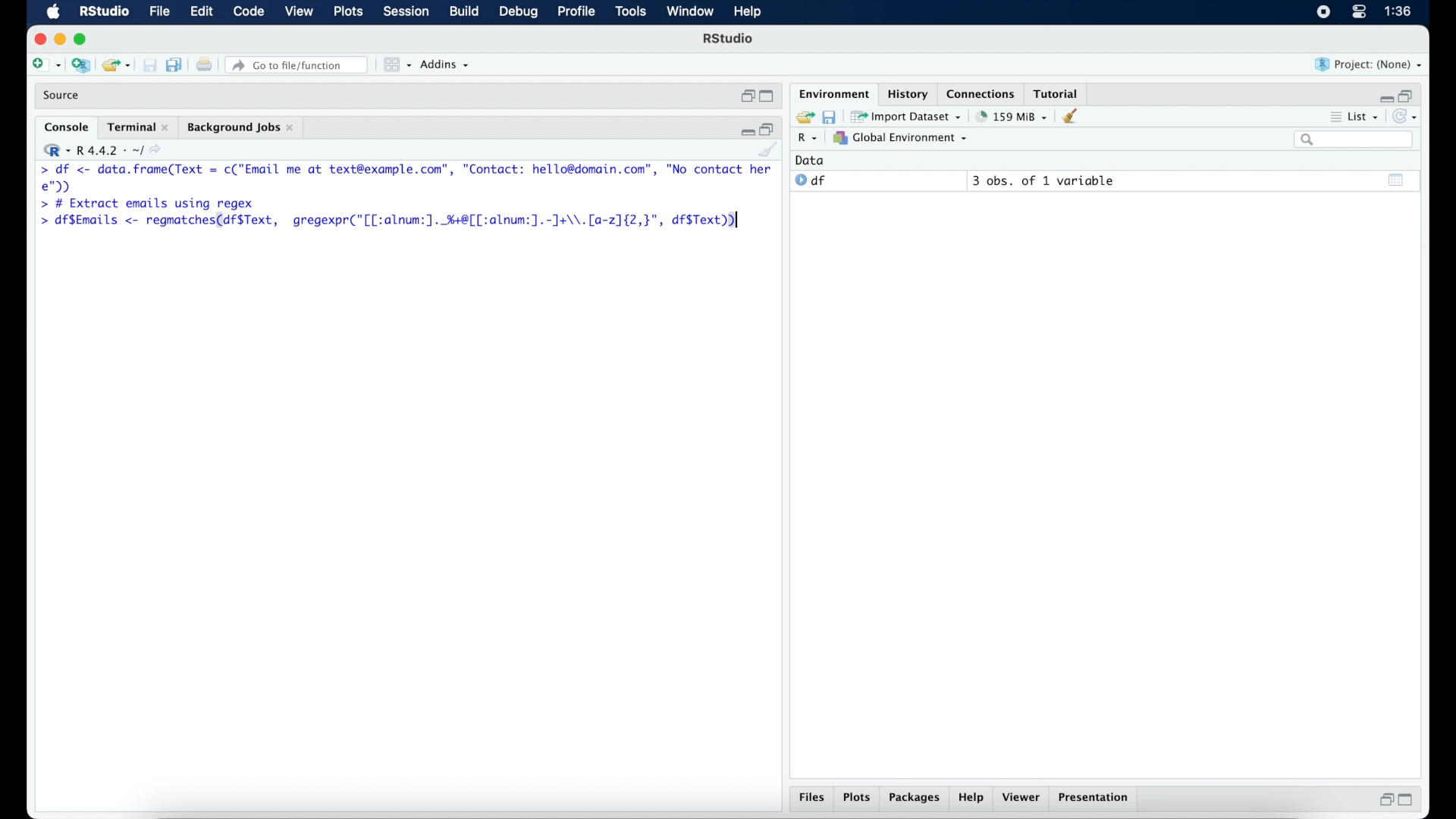 Image resolution: width=1456 pixels, height=819 pixels. Describe the element at coordinates (174, 64) in the screenshot. I see `save all documents` at that location.